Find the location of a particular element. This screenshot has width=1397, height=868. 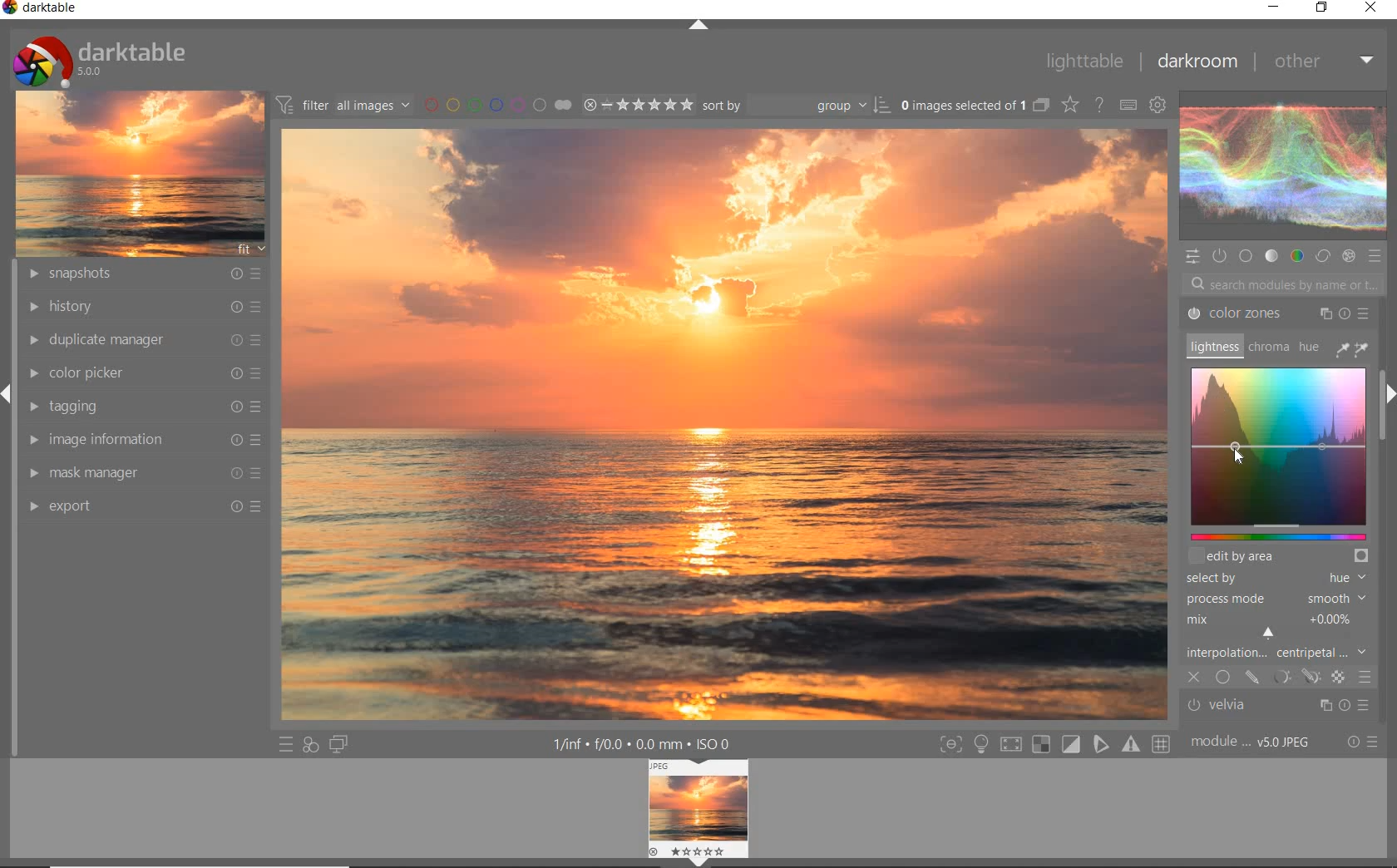

minimize is located at coordinates (1276, 6).